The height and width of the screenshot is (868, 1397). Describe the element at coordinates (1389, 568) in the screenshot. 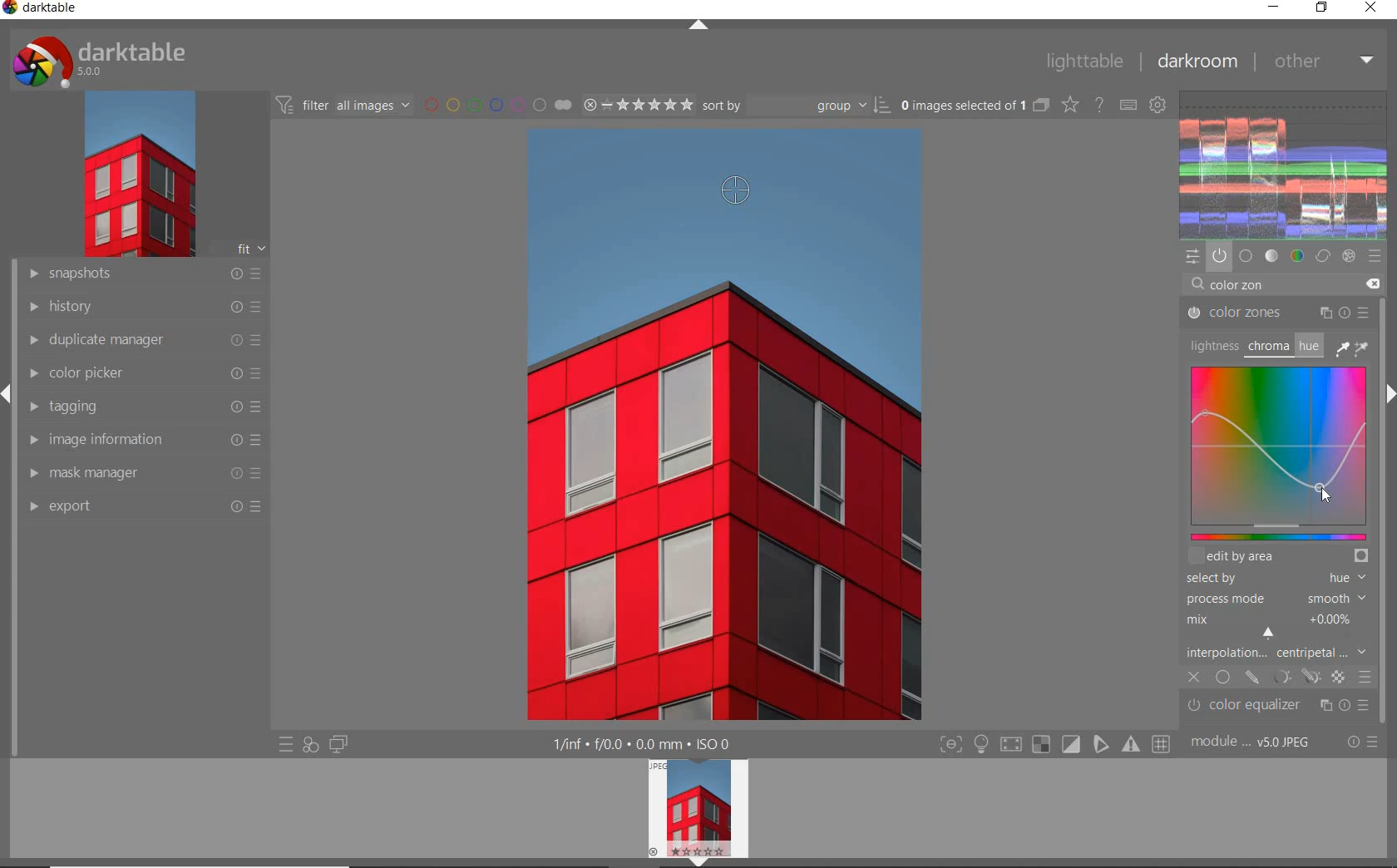

I see `scrollbar` at that location.